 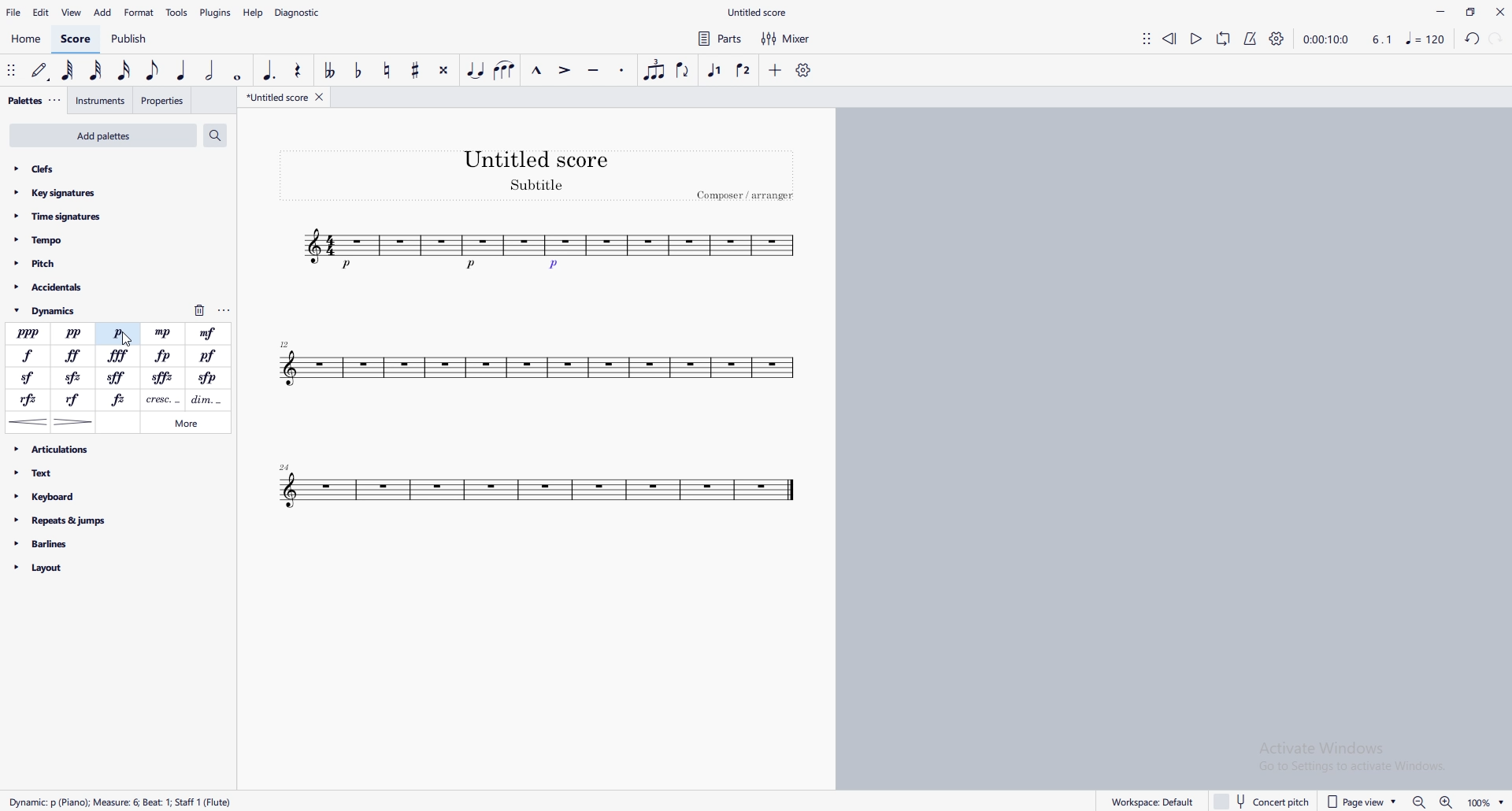 What do you see at coordinates (150, 802) in the screenshot?
I see `Rect Duration: Measure: Voice: 1 Mesure 6` at bounding box center [150, 802].